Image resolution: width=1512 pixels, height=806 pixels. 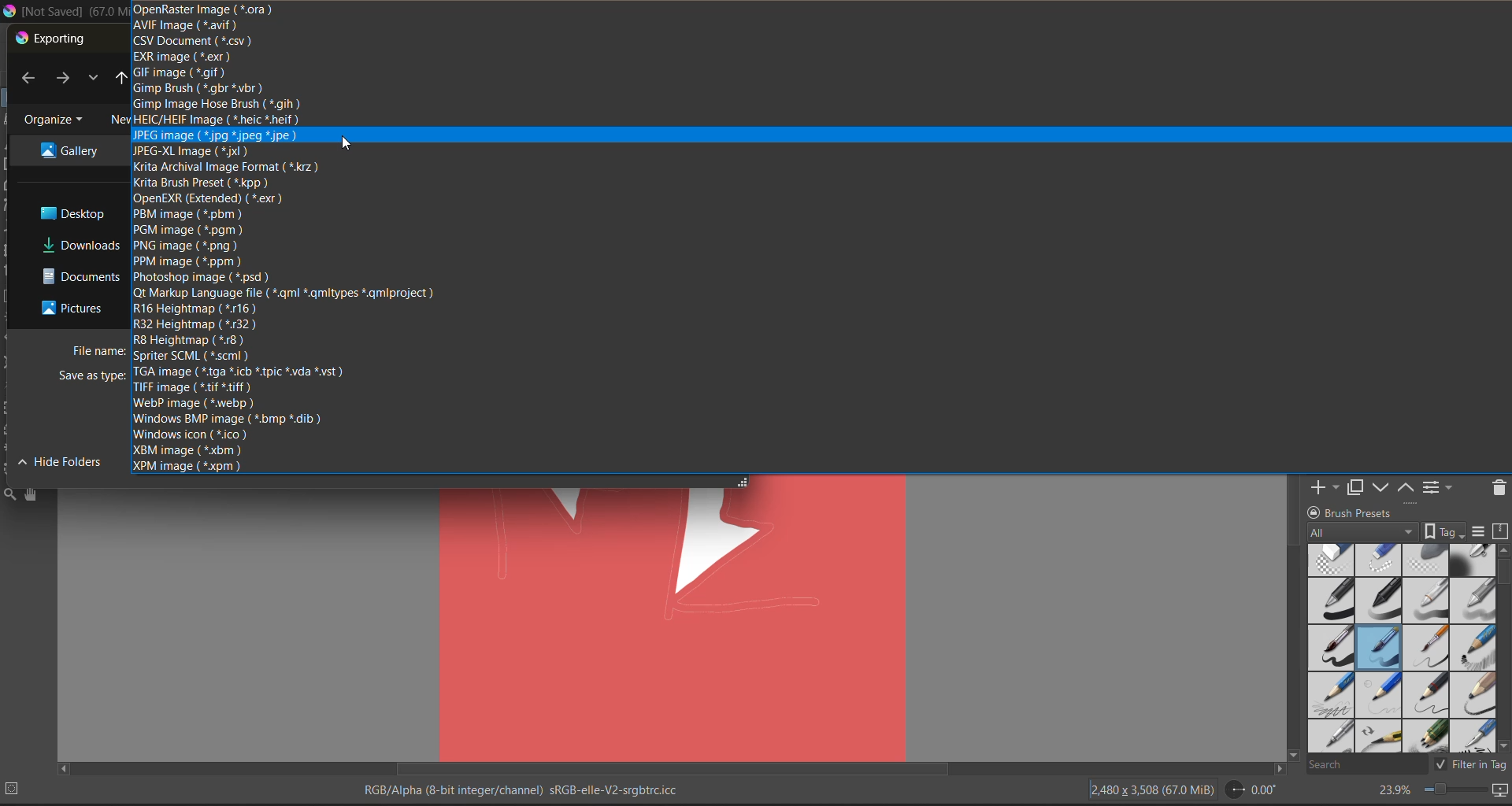 What do you see at coordinates (1471, 766) in the screenshot?
I see `filter tag` at bounding box center [1471, 766].